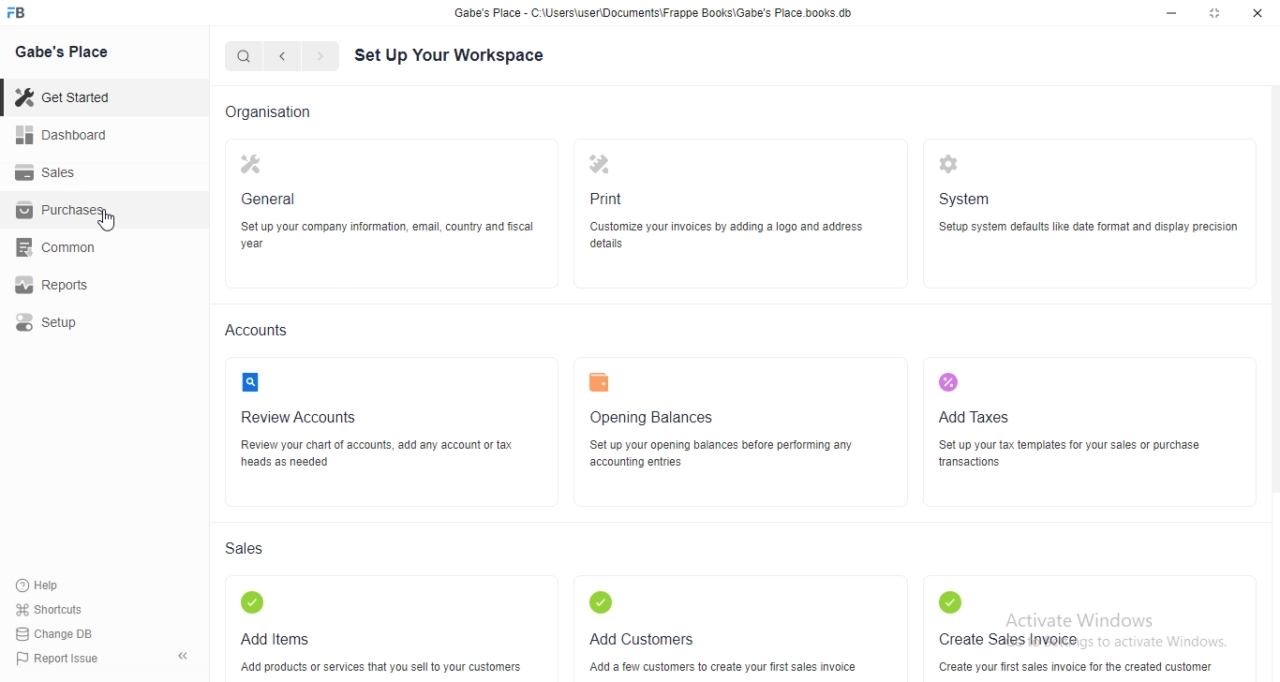  What do you see at coordinates (387, 221) in the screenshot?
I see `General Sat up your company information, email, country and fiscal year` at bounding box center [387, 221].